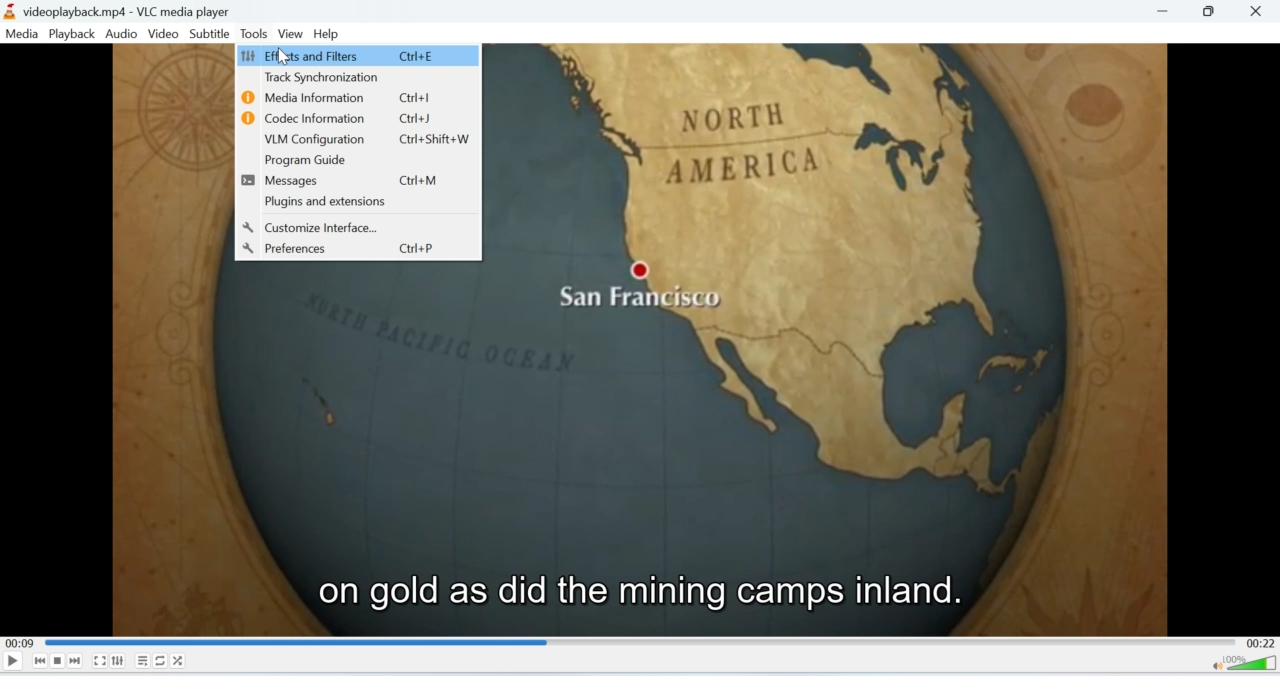 This screenshot has height=676, width=1280. I want to click on Play/Pause, so click(13, 660).